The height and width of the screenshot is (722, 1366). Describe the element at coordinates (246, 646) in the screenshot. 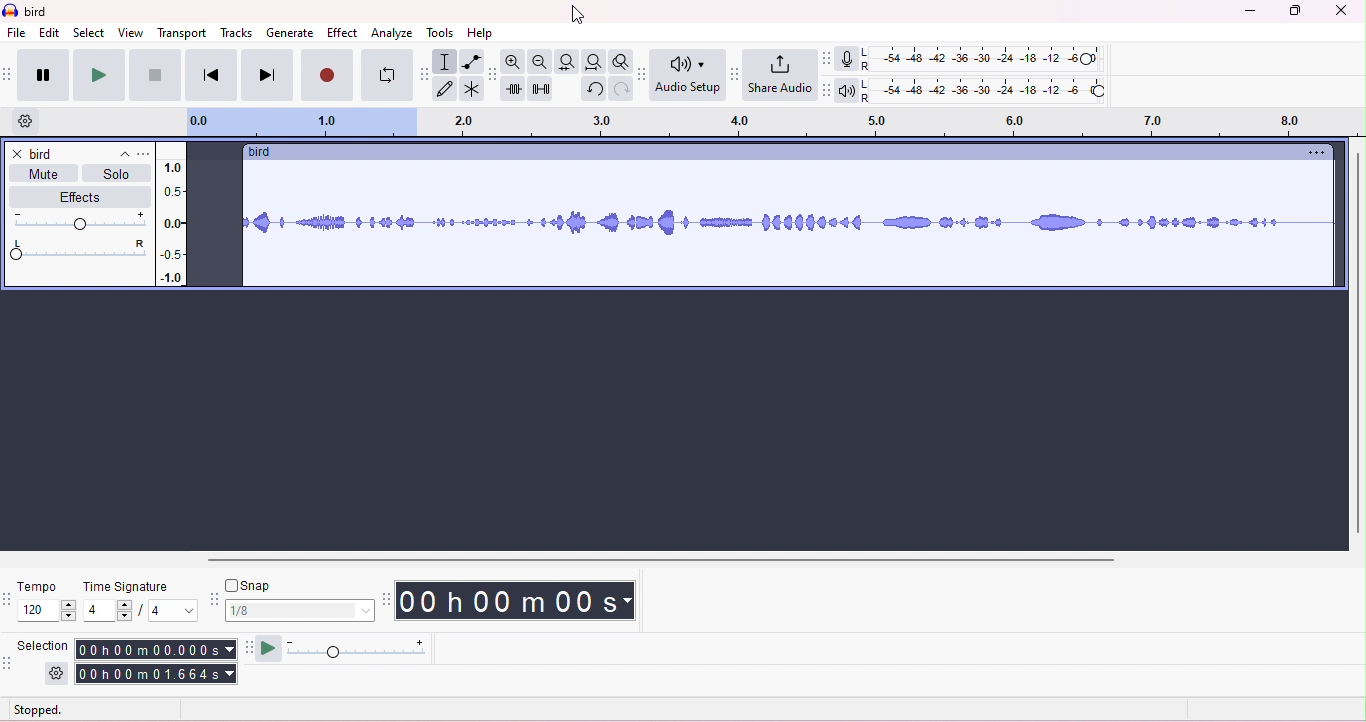

I see `play at speed tool bar` at that location.